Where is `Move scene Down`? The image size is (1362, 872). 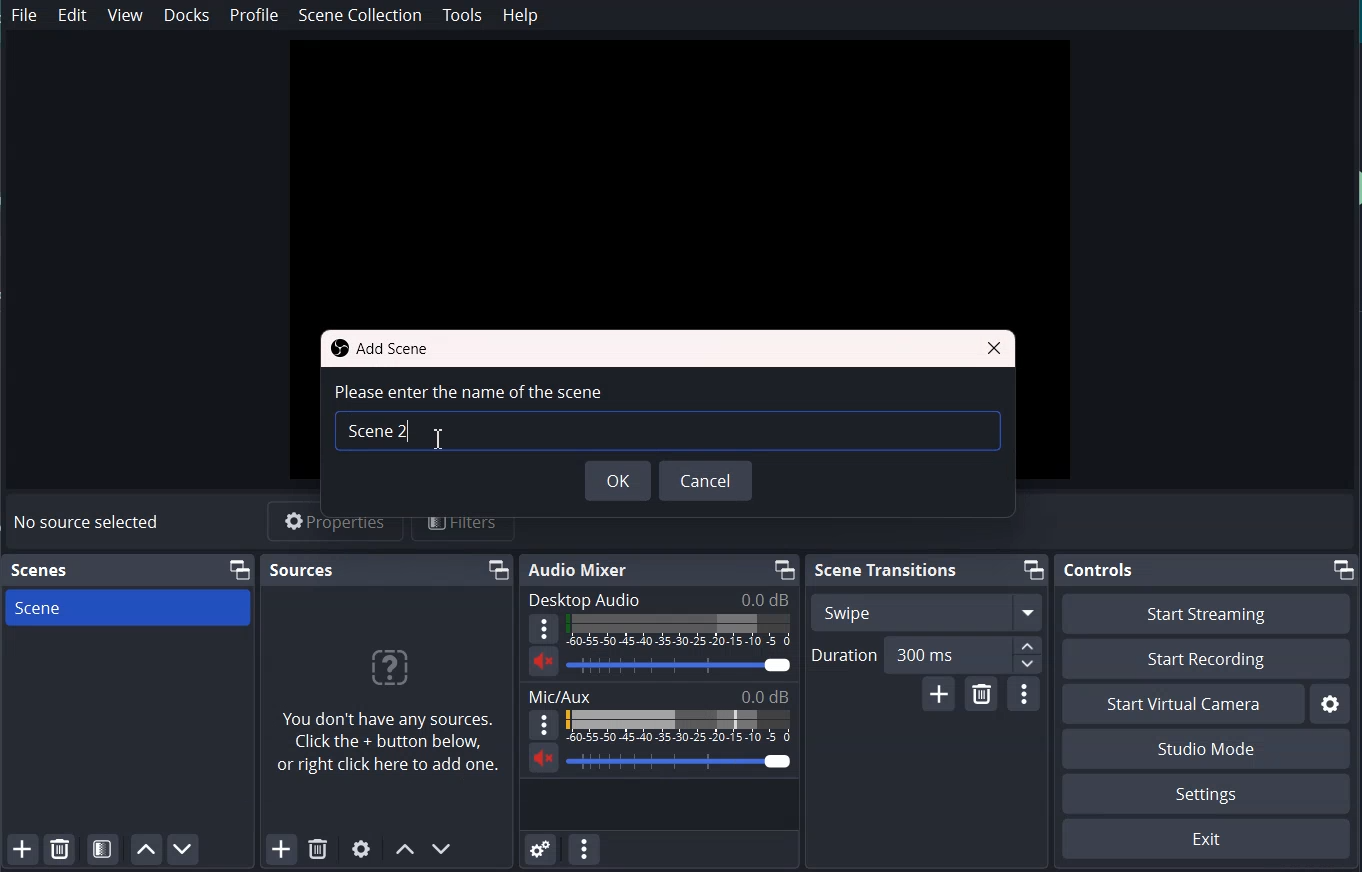 Move scene Down is located at coordinates (443, 849).